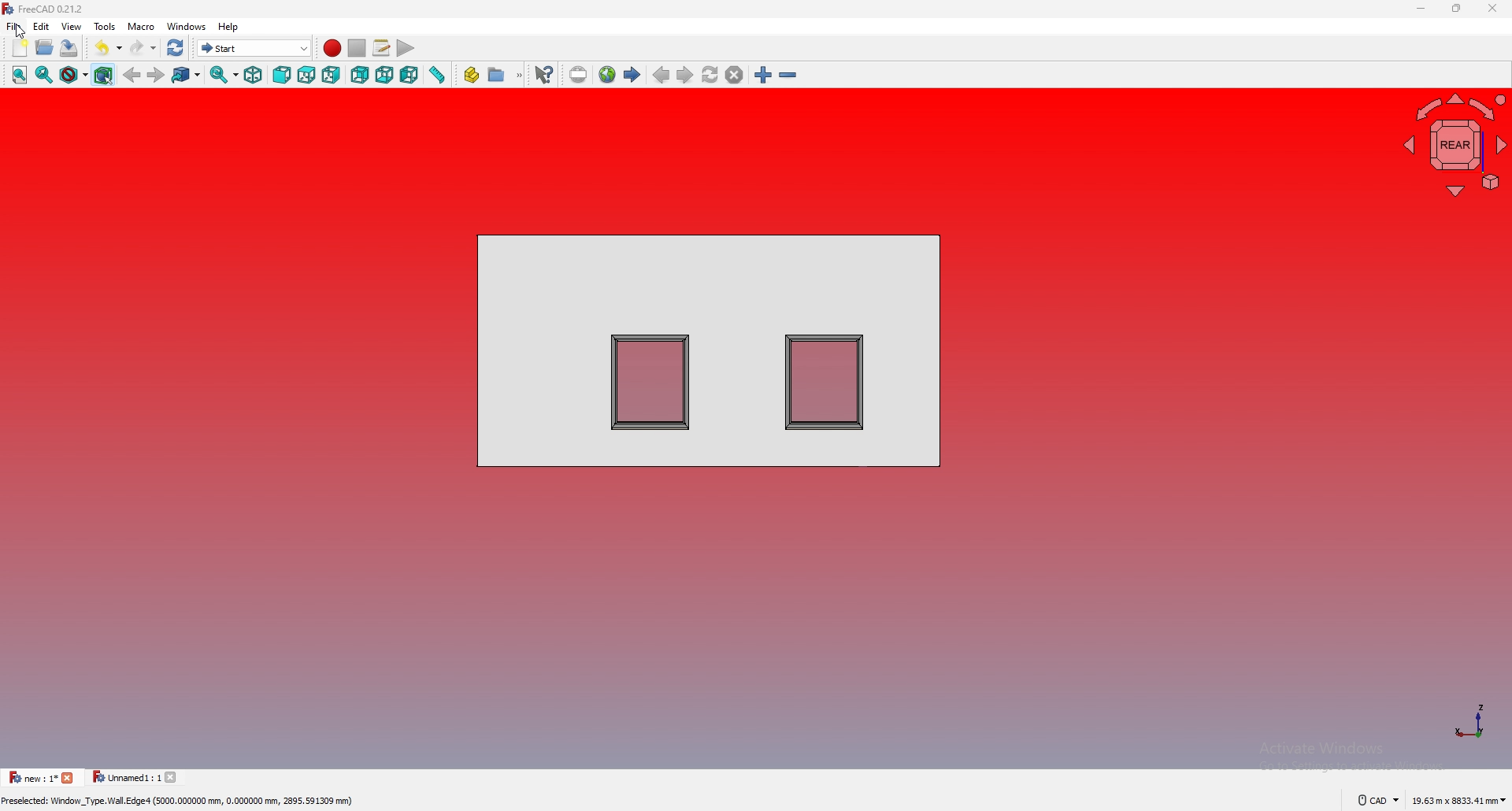 Image resolution: width=1512 pixels, height=811 pixels. What do you see at coordinates (577, 74) in the screenshot?
I see `set url` at bounding box center [577, 74].